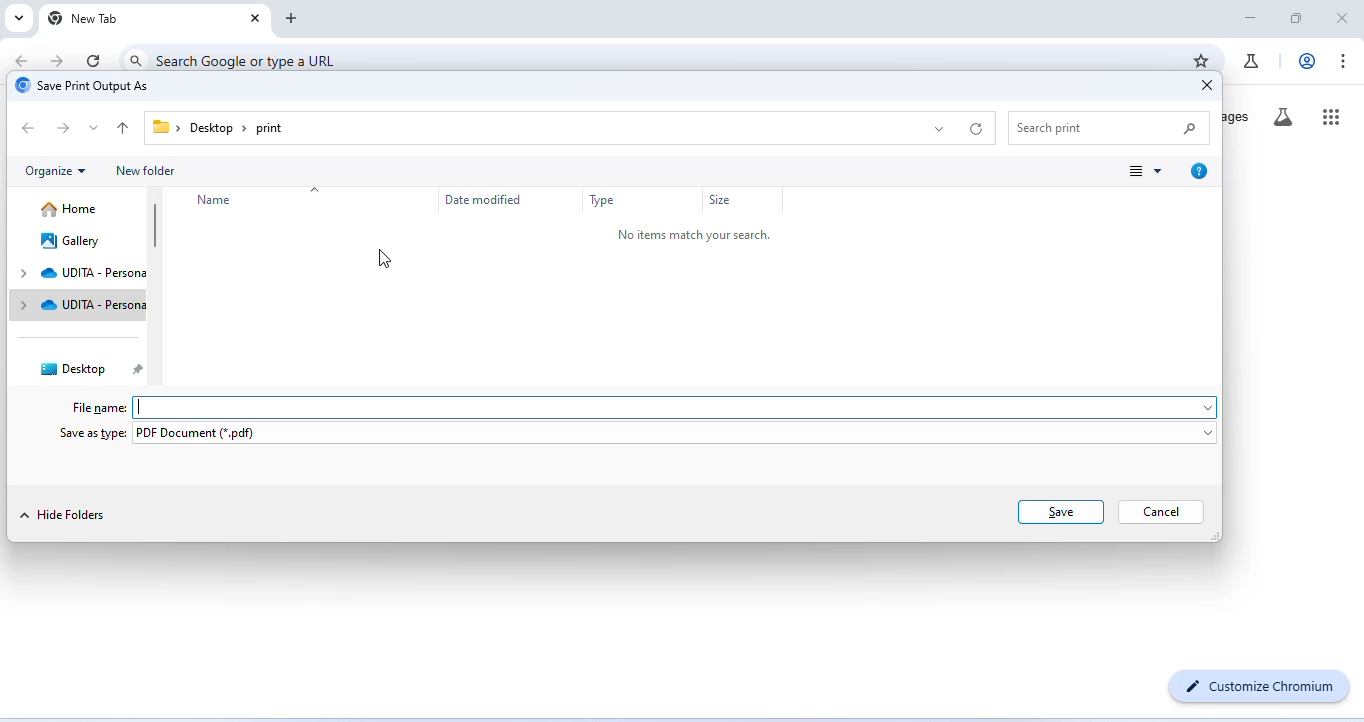  I want to click on minimize, so click(1251, 19).